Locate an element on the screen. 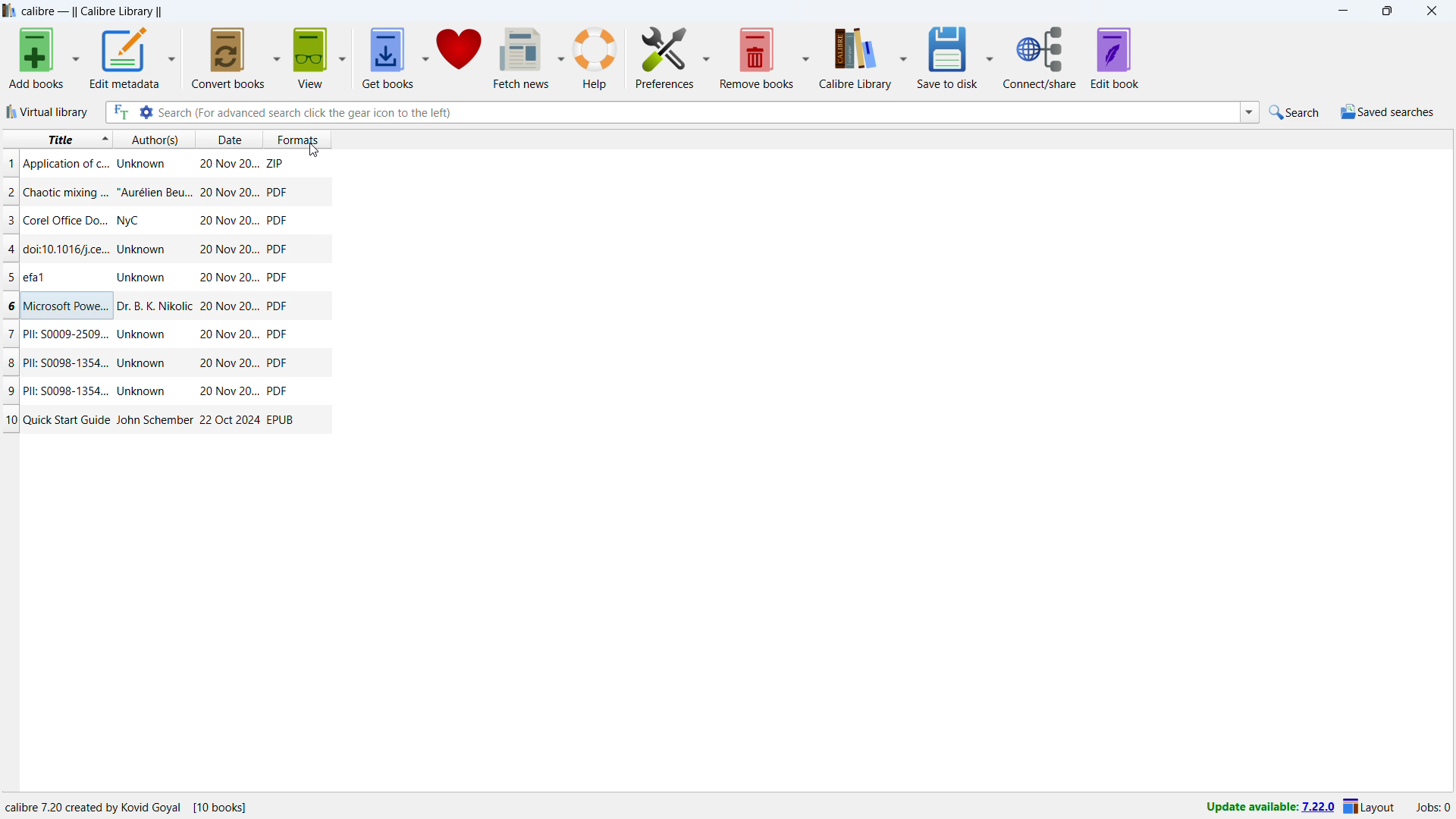 The image size is (1456, 819). title is located at coordinates (67, 419).